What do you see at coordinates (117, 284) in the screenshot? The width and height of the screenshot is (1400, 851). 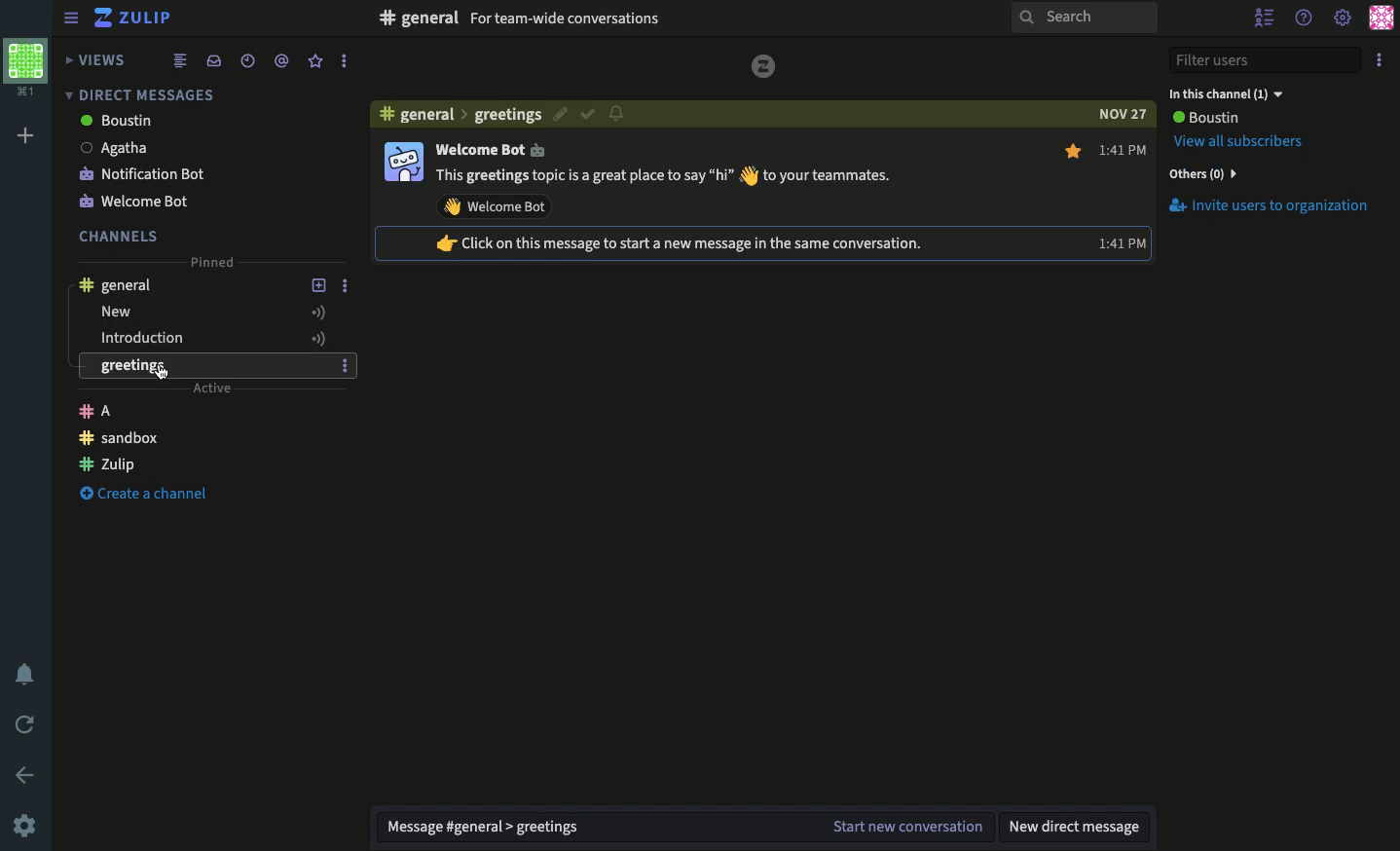 I see `General` at bounding box center [117, 284].